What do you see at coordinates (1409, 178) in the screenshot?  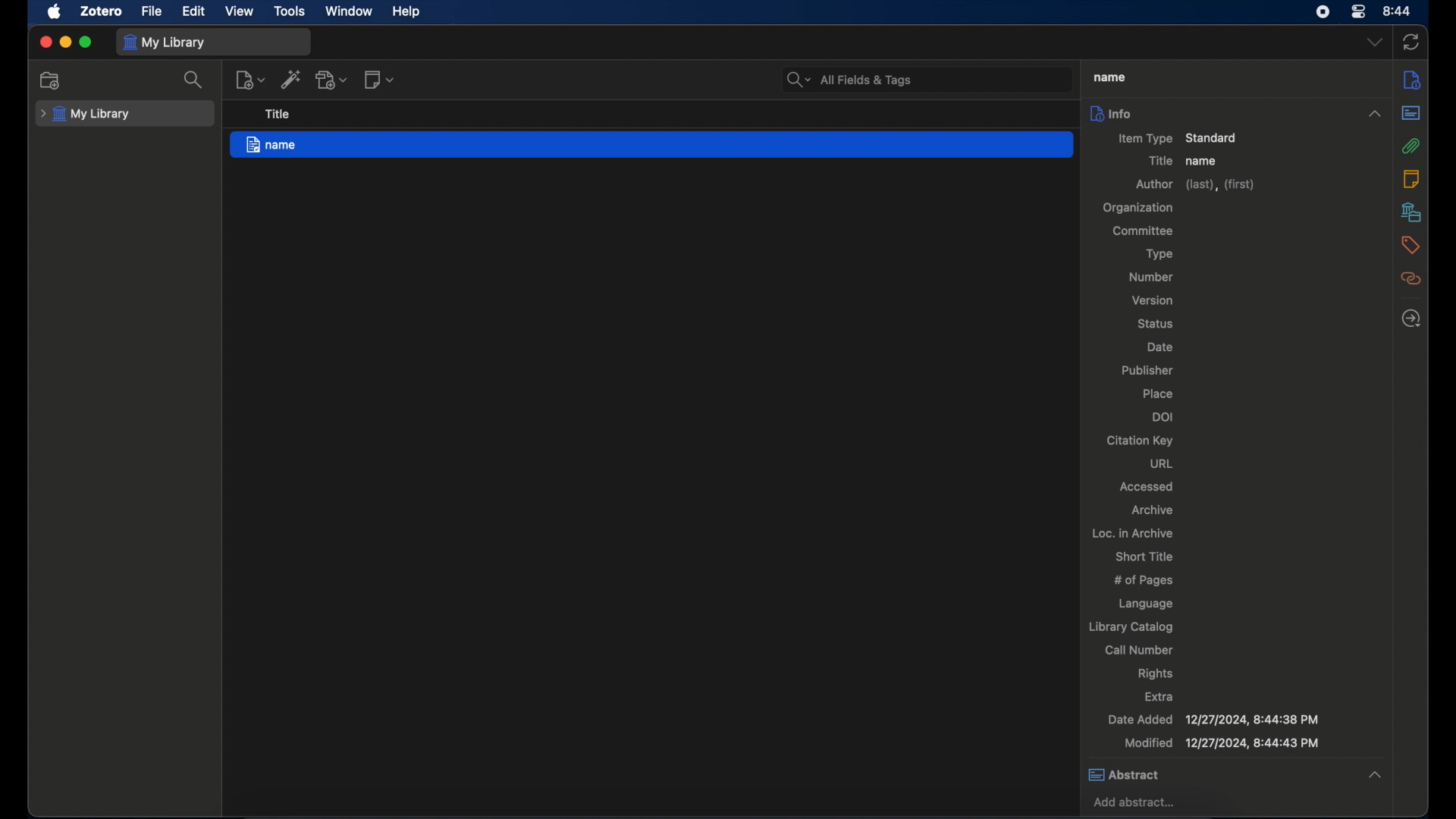 I see `notes` at bounding box center [1409, 178].